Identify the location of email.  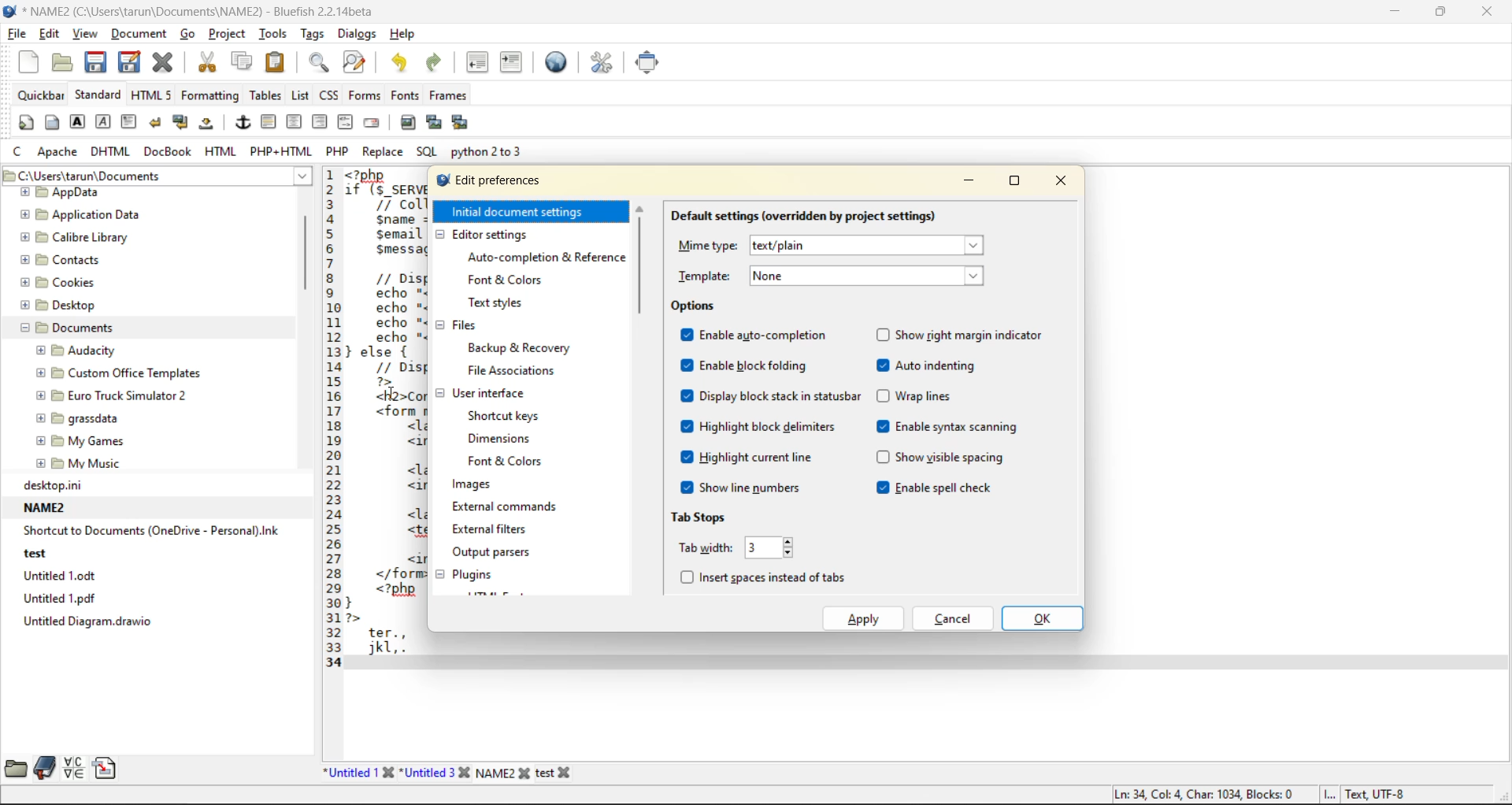
(374, 123).